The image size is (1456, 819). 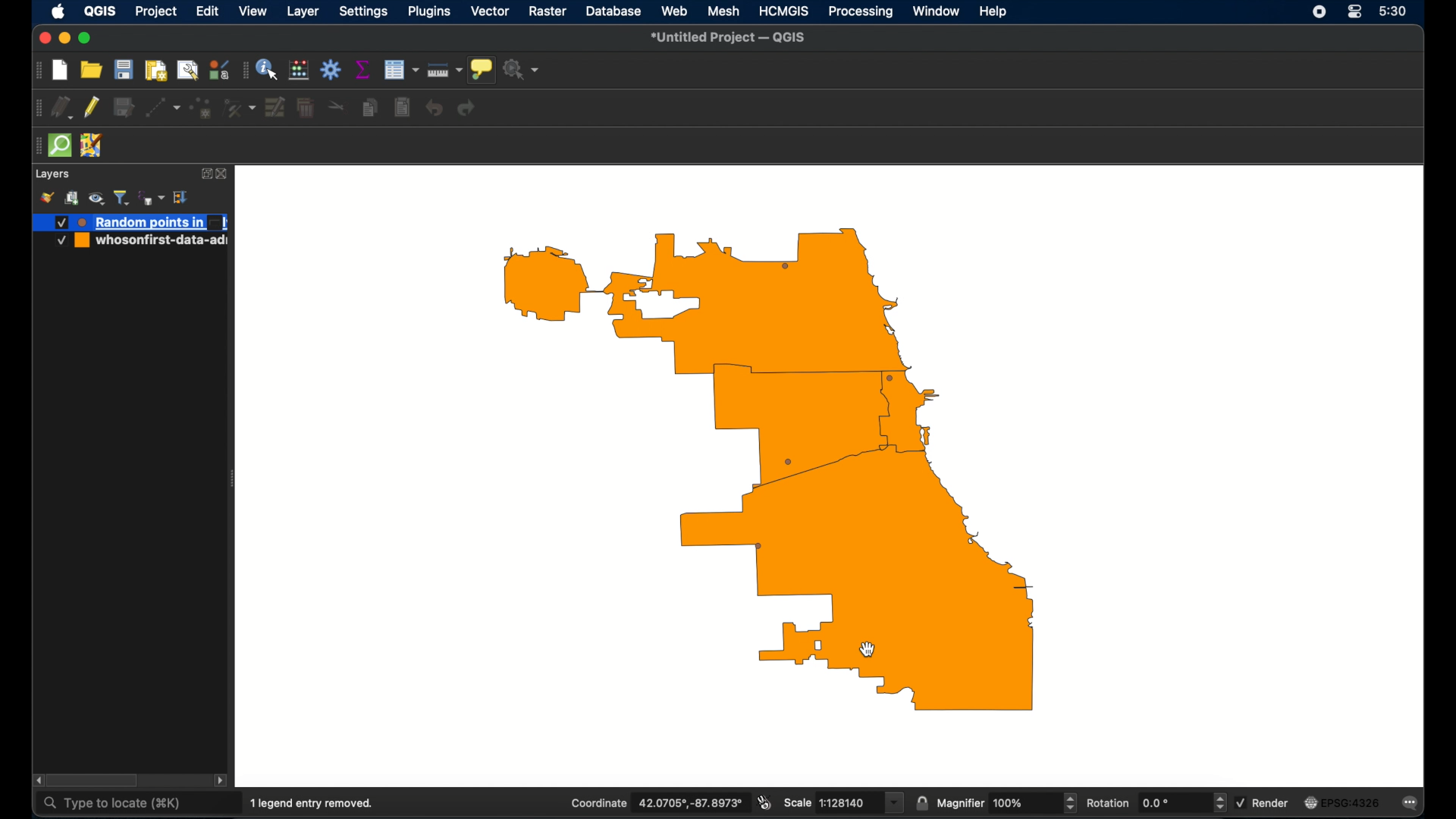 I want to click on QGIS, so click(x=100, y=11).